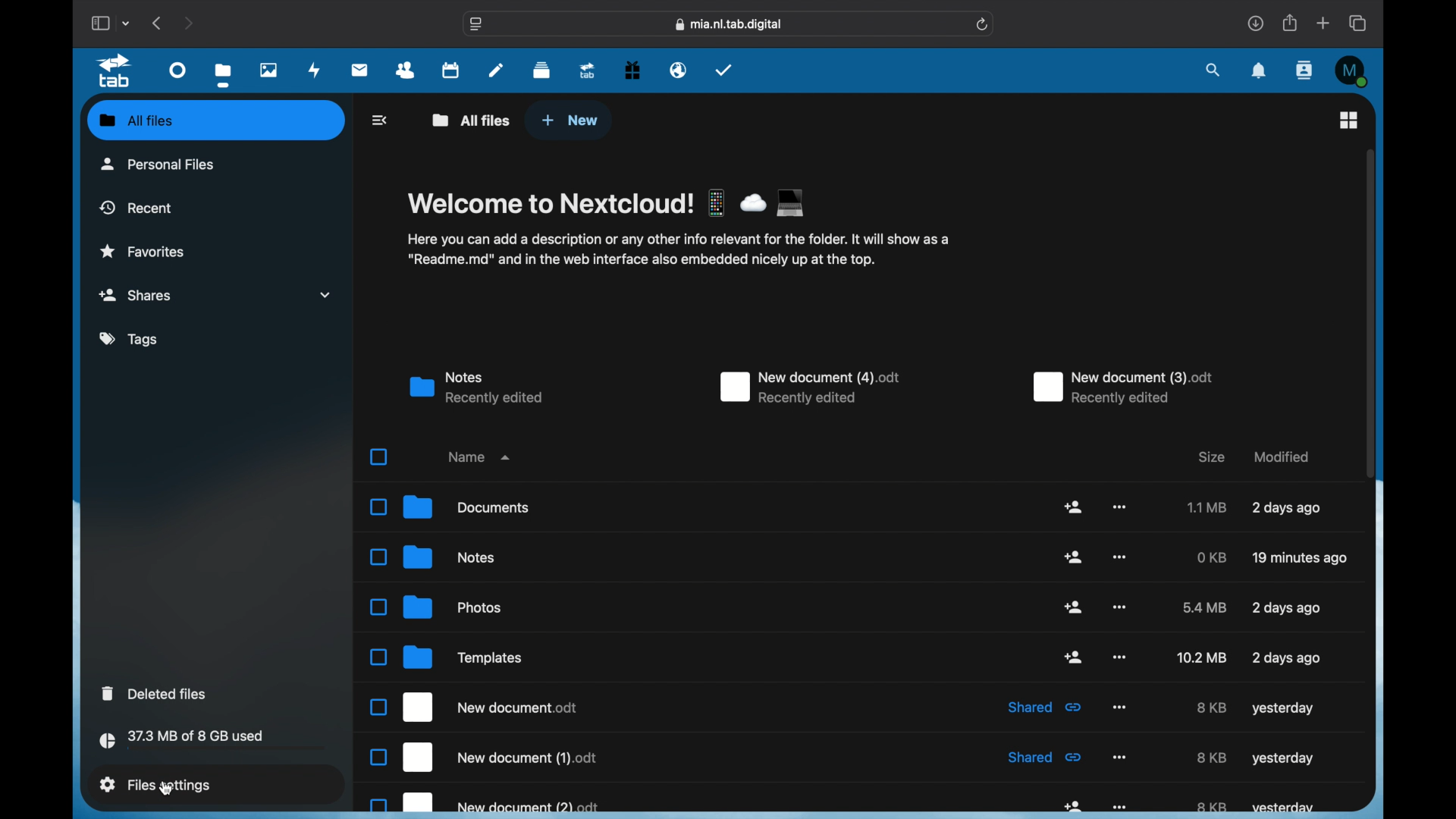  What do you see at coordinates (1304, 71) in the screenshot?
I see `contacts` at bounding box center [1304, 71].